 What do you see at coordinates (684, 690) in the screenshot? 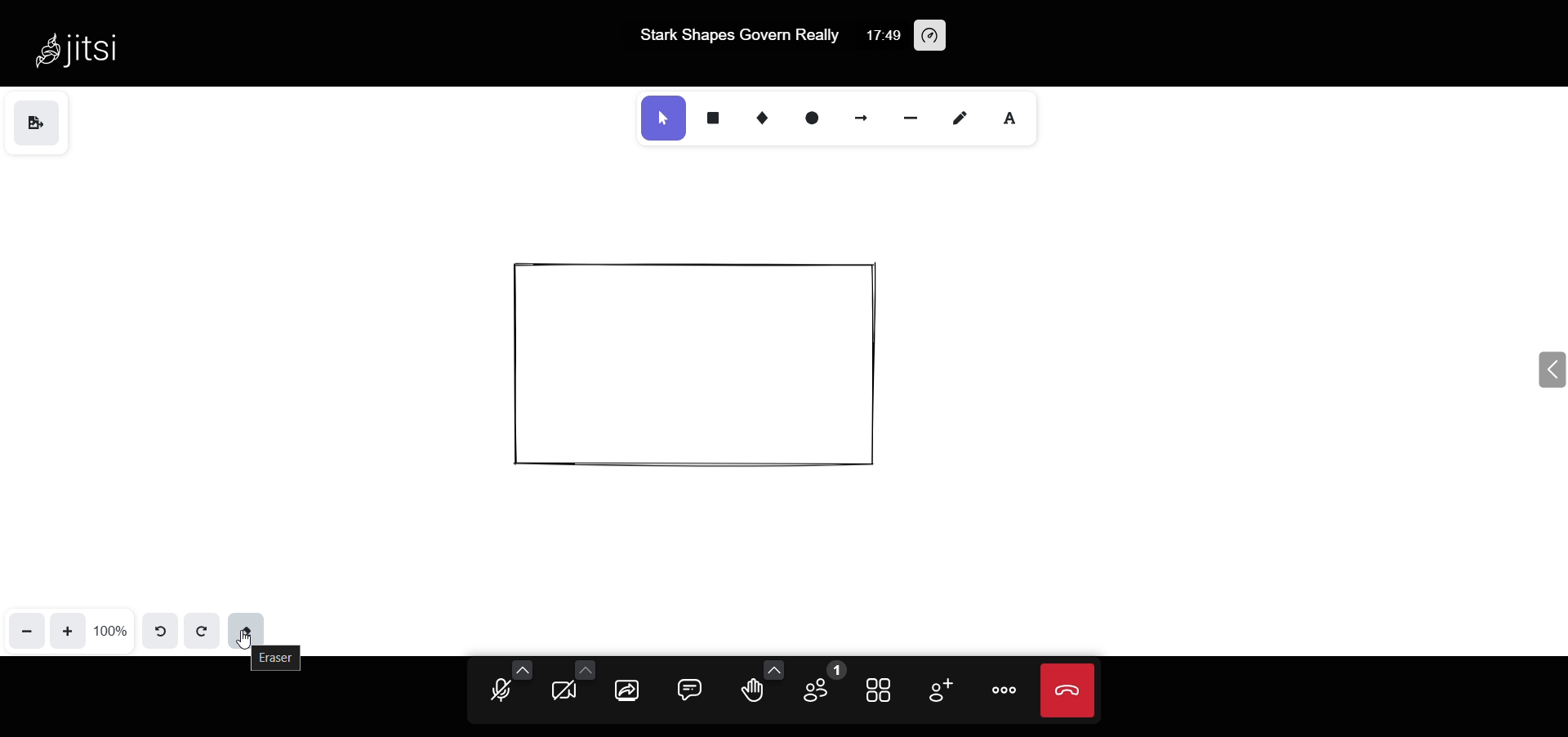
I see `chat` at bounding box center [684, 690].